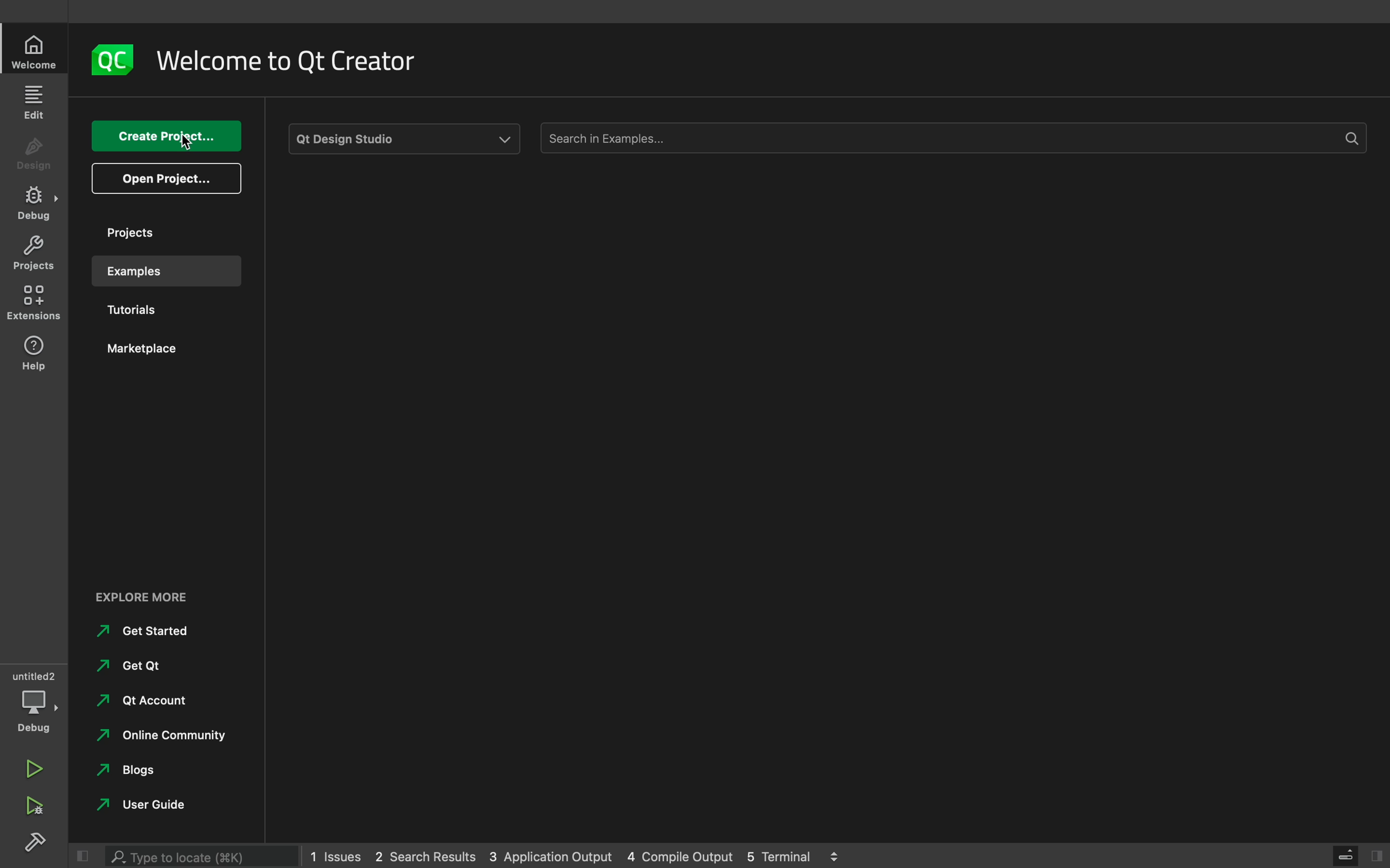  What do you see at coordinates (149, 599) in the screenshot?
I see `explore more` at bounding box center [149, 599].